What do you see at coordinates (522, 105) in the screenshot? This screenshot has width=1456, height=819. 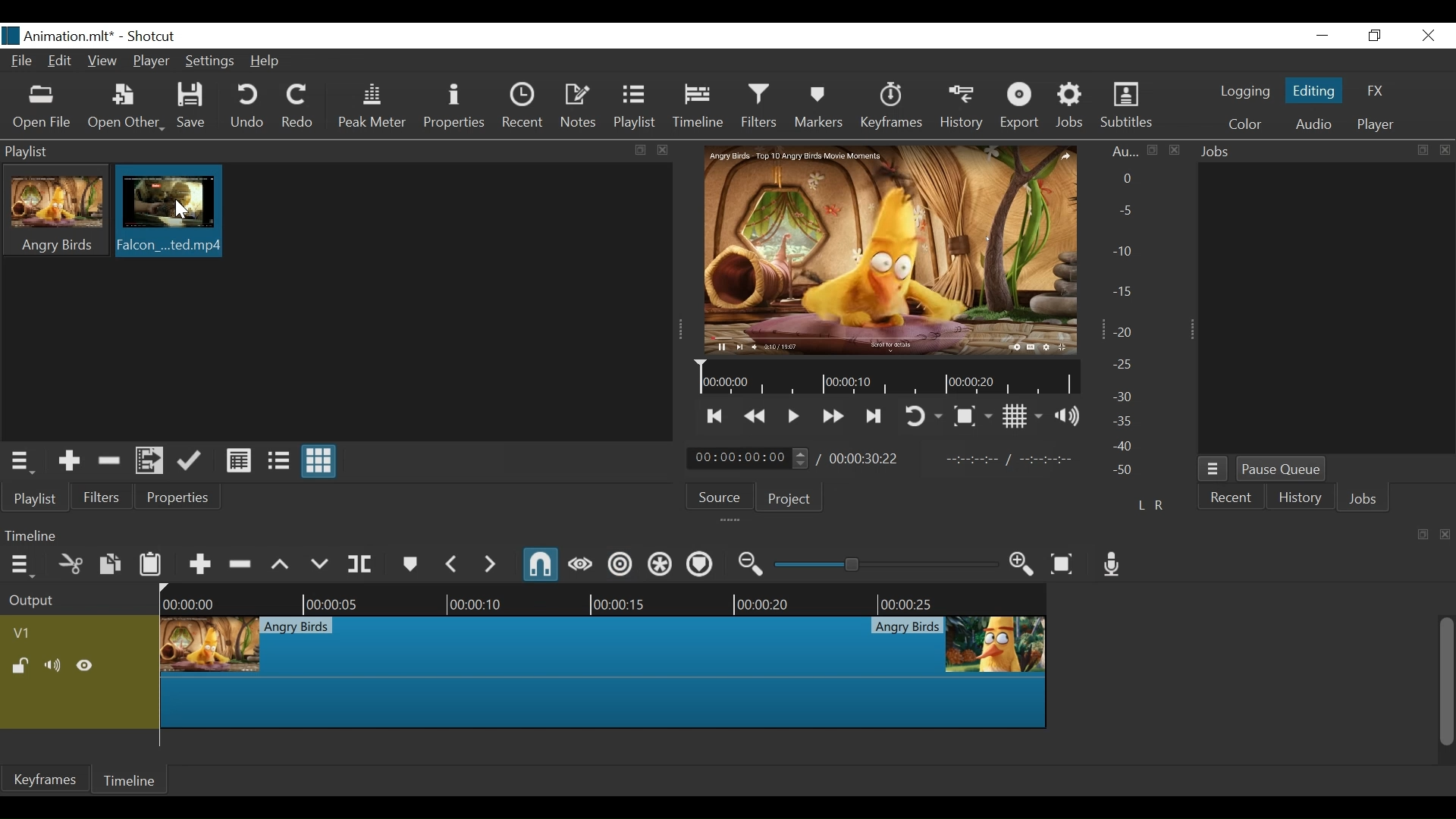 I see `Recent` at bounding box center [522, 105].